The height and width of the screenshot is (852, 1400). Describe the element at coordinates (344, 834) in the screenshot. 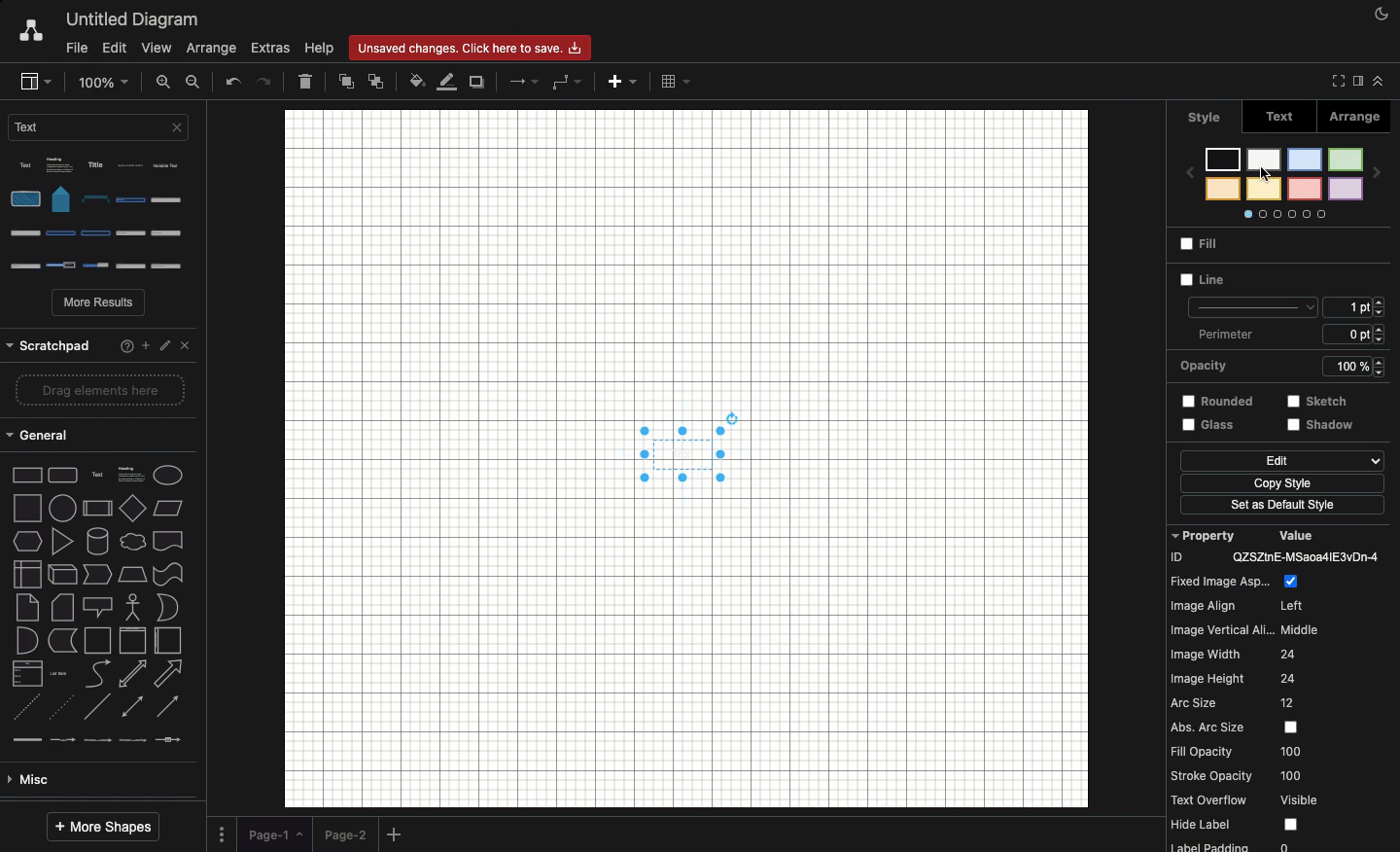

I see `Page 2` at that location.